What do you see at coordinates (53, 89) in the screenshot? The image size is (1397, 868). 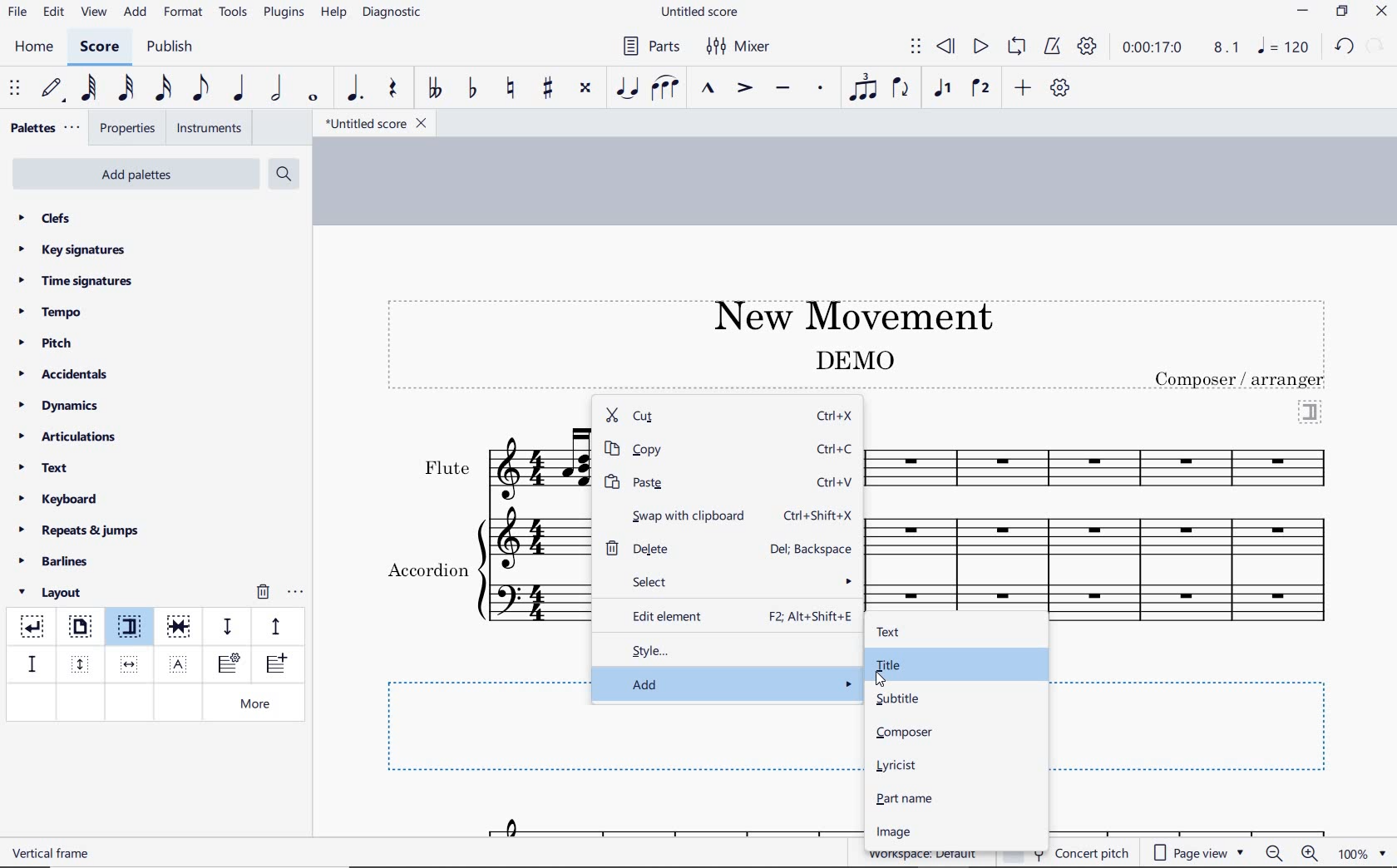 I see `default (step time)` at bounding box center [53, 89].